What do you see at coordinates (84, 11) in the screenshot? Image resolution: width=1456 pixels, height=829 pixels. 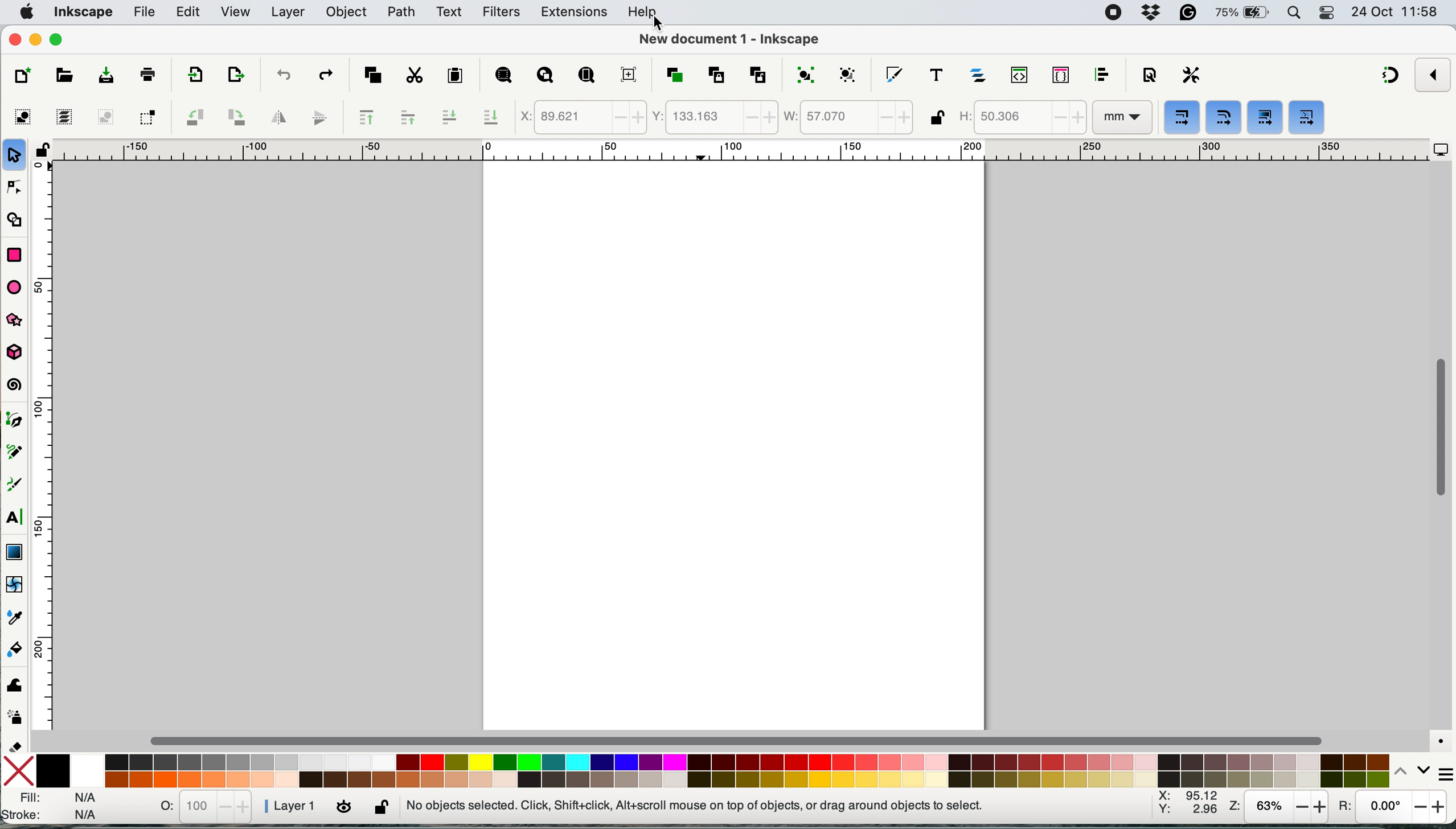 I see `inkscape` at bounding box center [84, 11].